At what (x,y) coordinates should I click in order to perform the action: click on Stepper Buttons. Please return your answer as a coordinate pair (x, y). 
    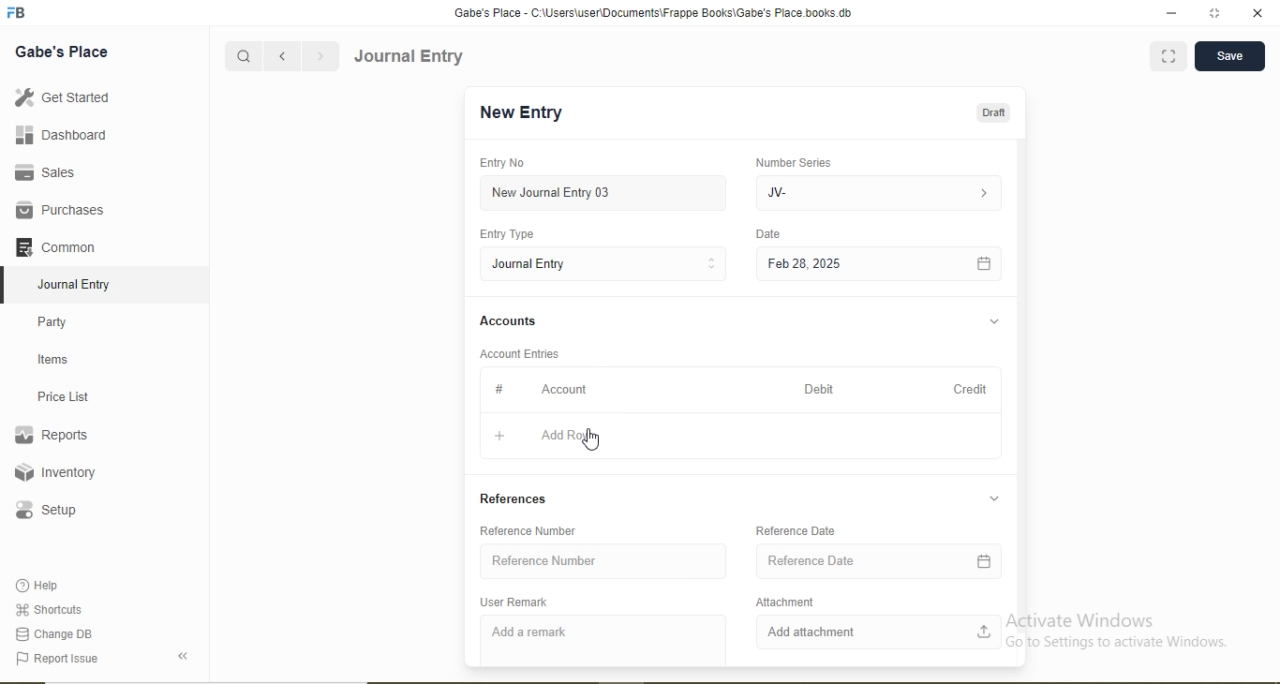
    Looking at the image, I should click on (712, 264).